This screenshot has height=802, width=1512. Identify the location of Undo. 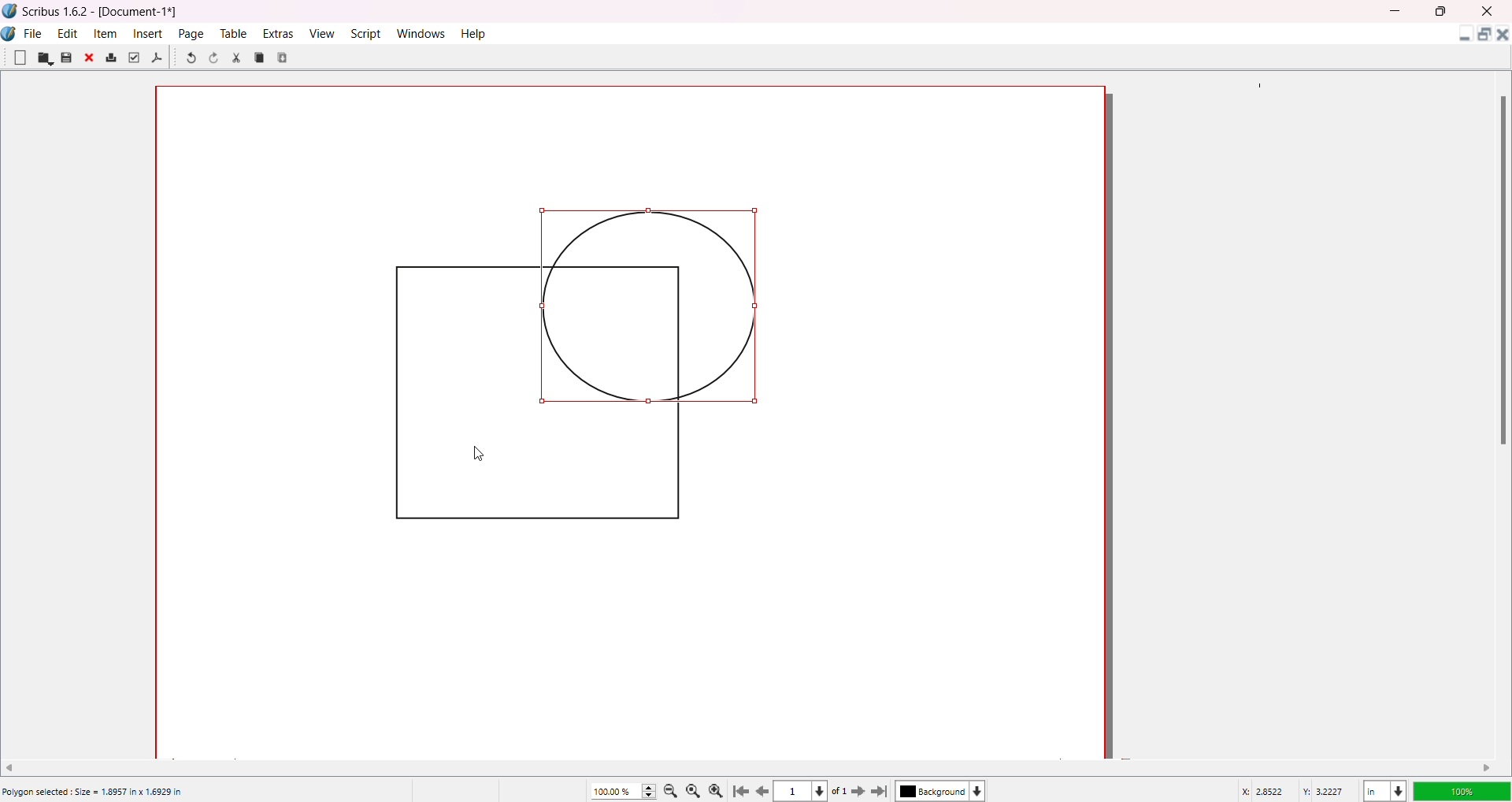
(190, 59).